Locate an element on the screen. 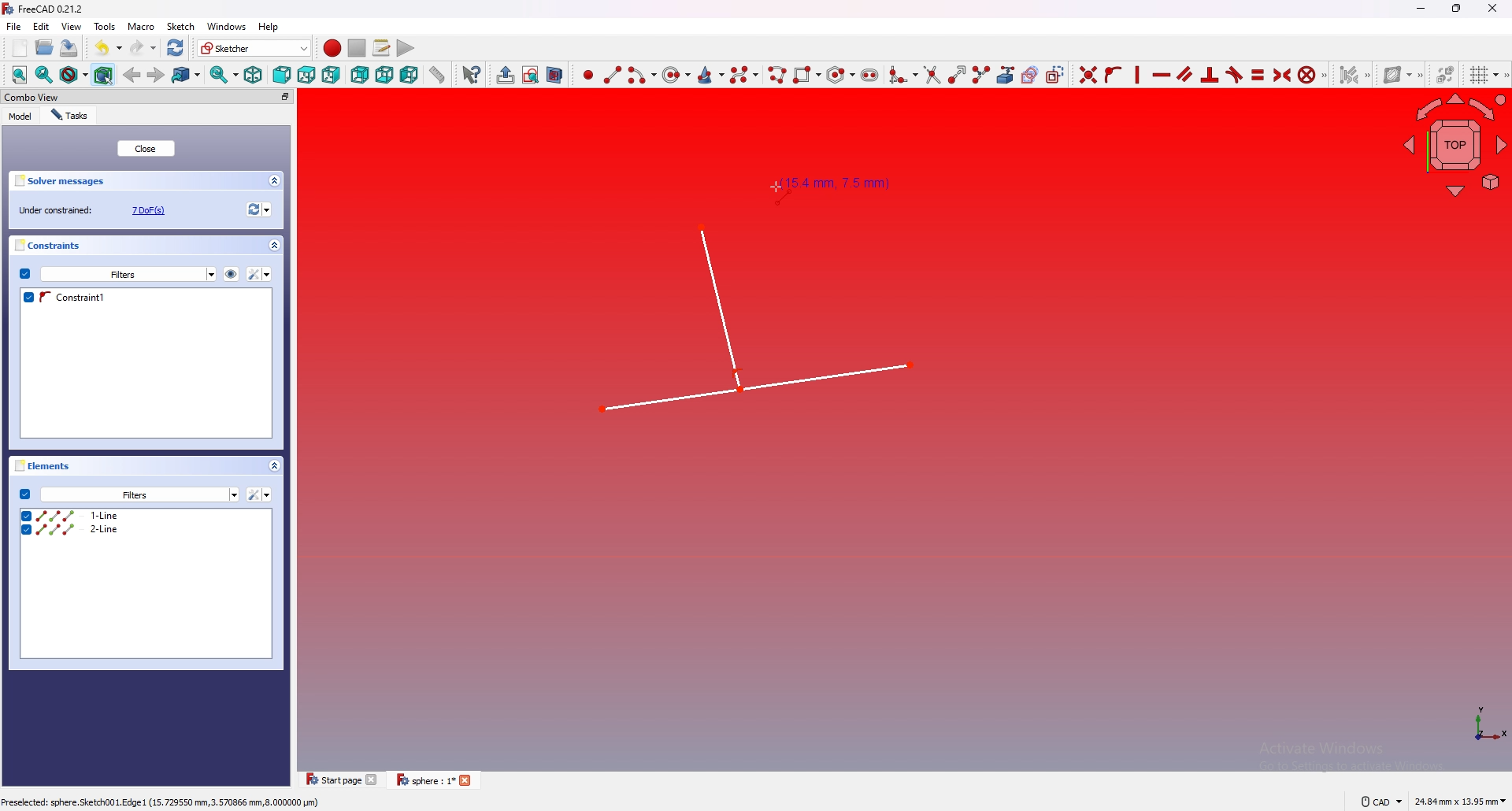 The image size is (1512, 811). Settings is located at coordinates (260, 274).